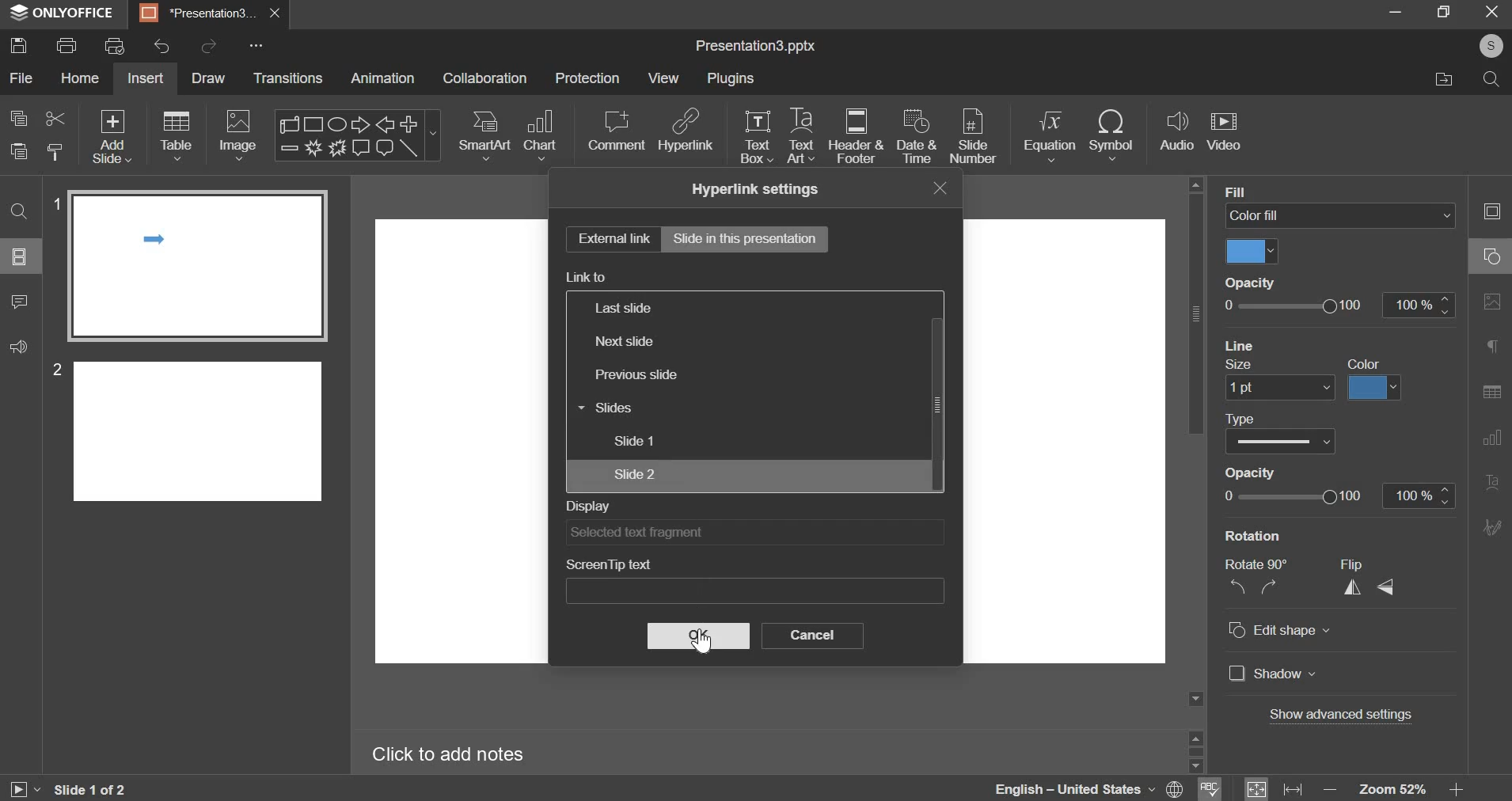 The height and width of the screenshot is (801, 1512). I want to click on exit, so click(1494, 12).